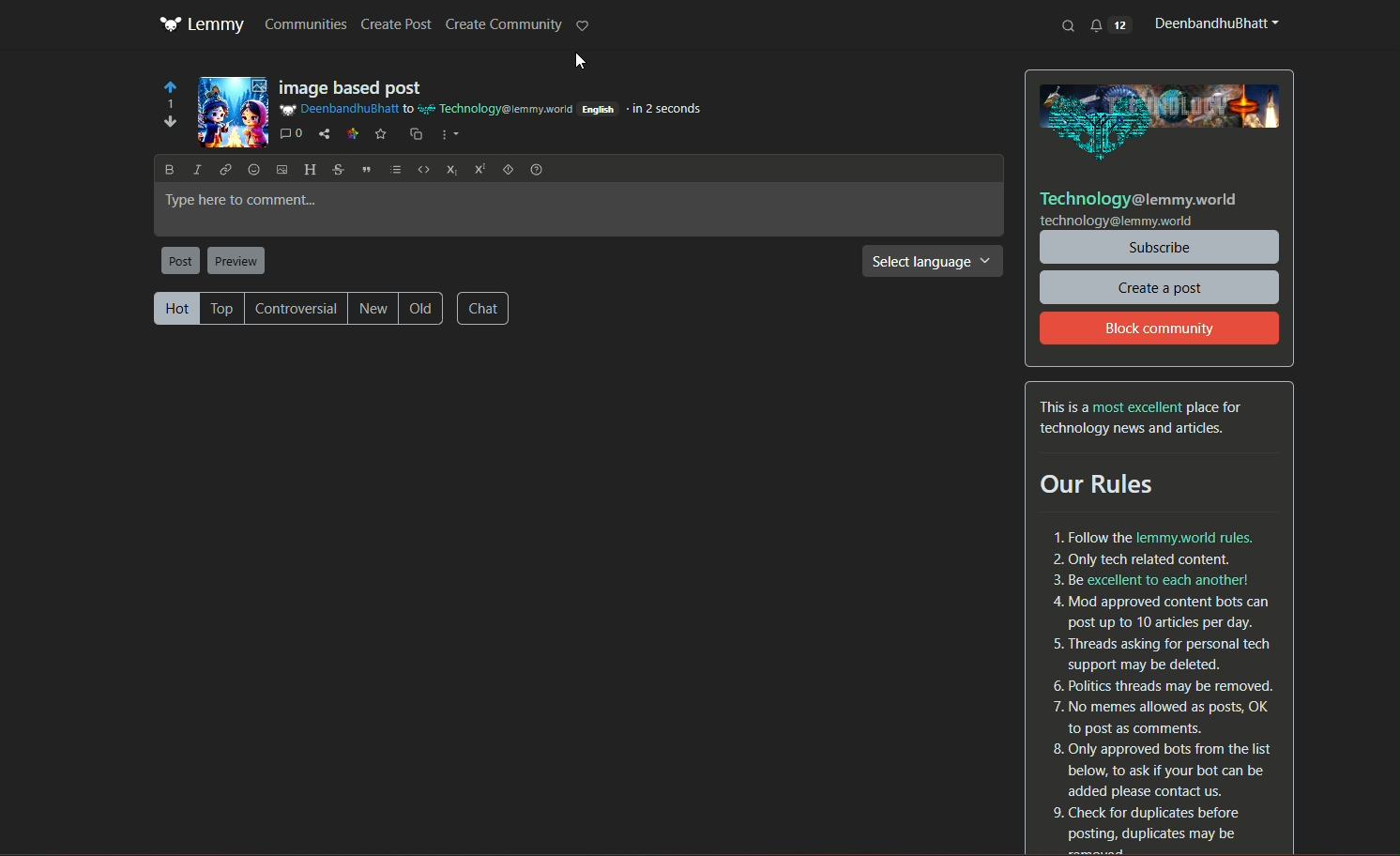  I want to click on cursor, so click(571, 62).